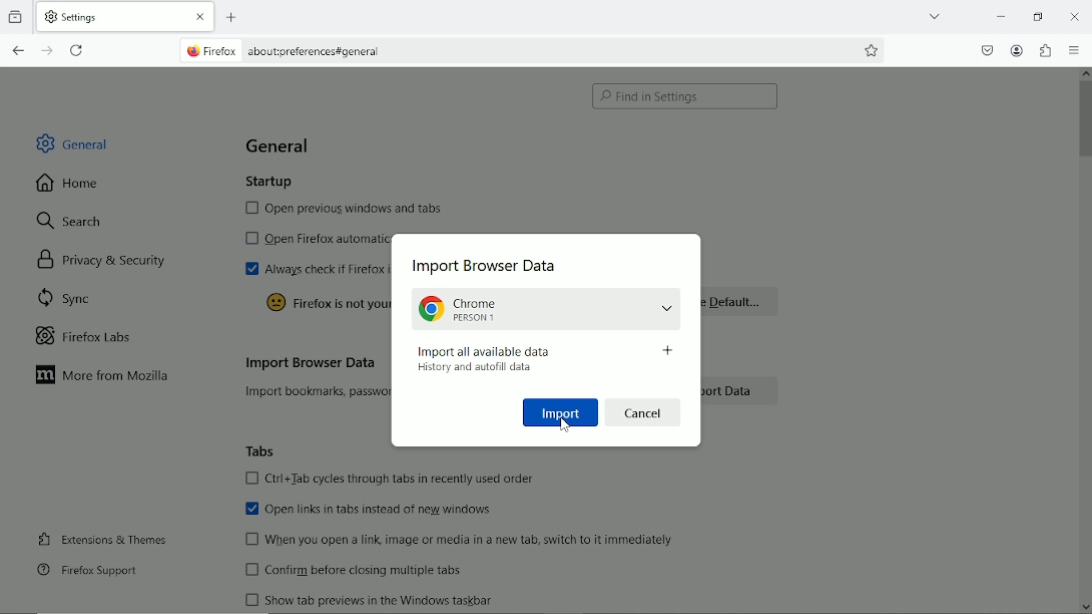 The width and height of the screenshot is (1092, 614). Describe the element at coordinates (560, 412) in the screenshot. I see `Import` at that location.